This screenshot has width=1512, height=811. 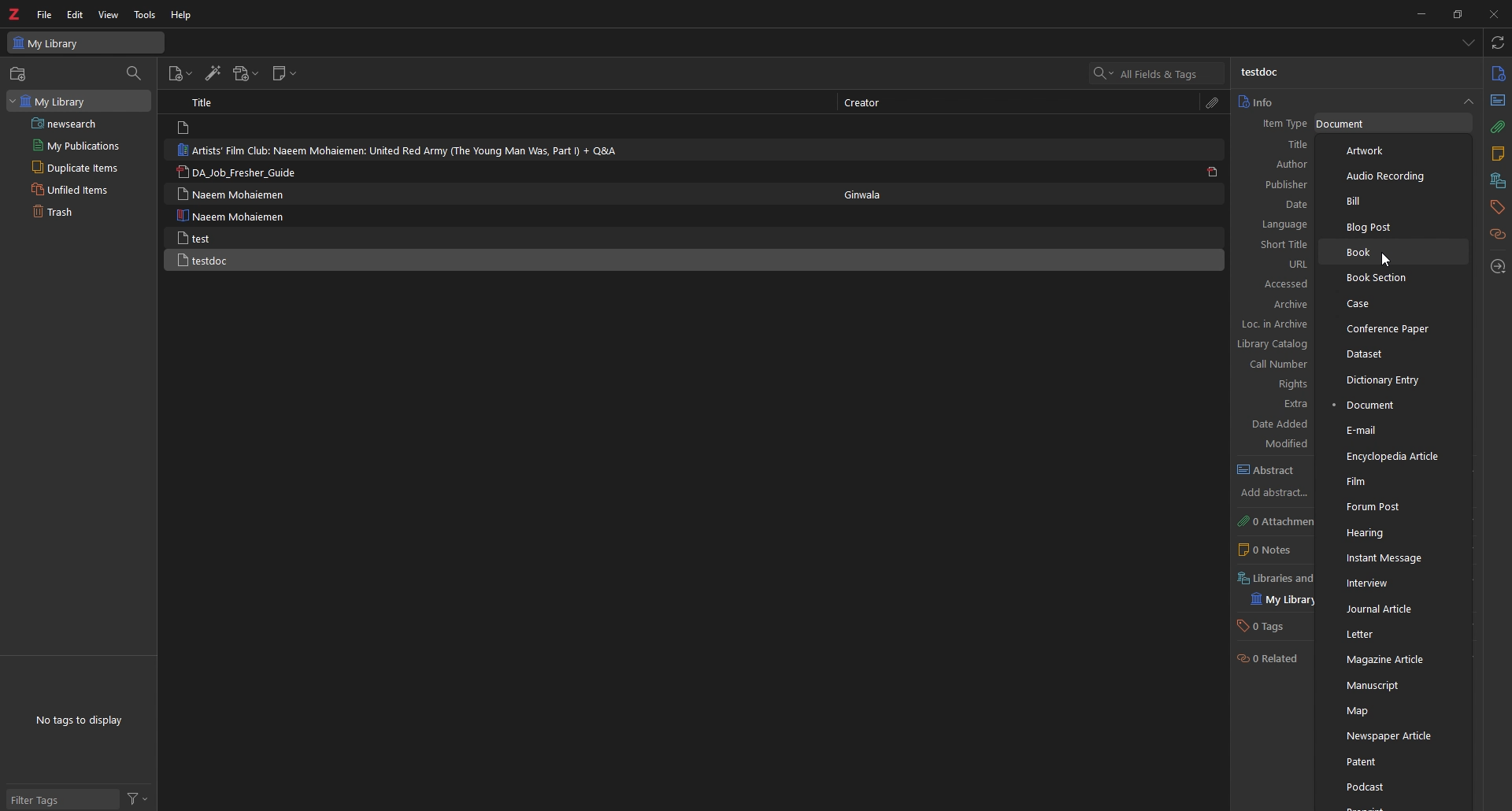 What do you see at coordinates (80, 189) in the screenshot?
I see `Unfiled items` at bounding box center [80, 189].